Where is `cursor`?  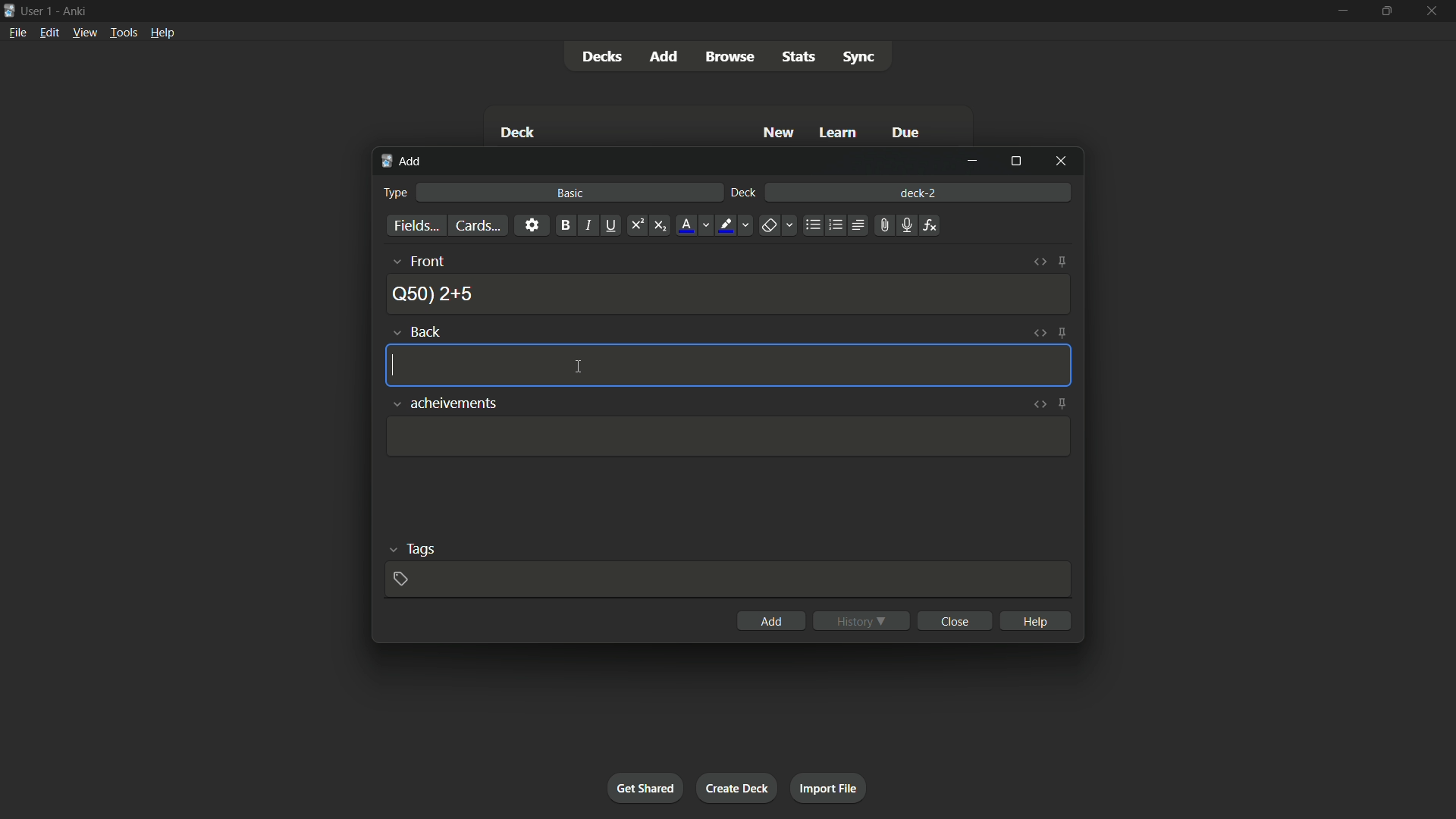 cursor is located at coordinates (580, 369).